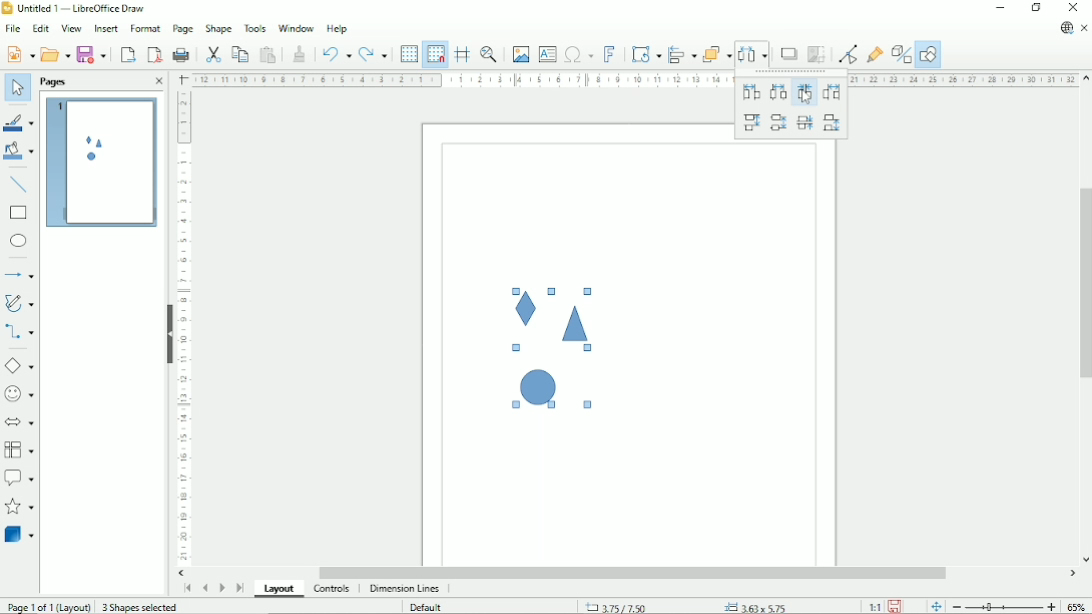 Image resolution: width=1092 pixels, height=614 pixels. I want to click on Close document, so click(1084, 28).